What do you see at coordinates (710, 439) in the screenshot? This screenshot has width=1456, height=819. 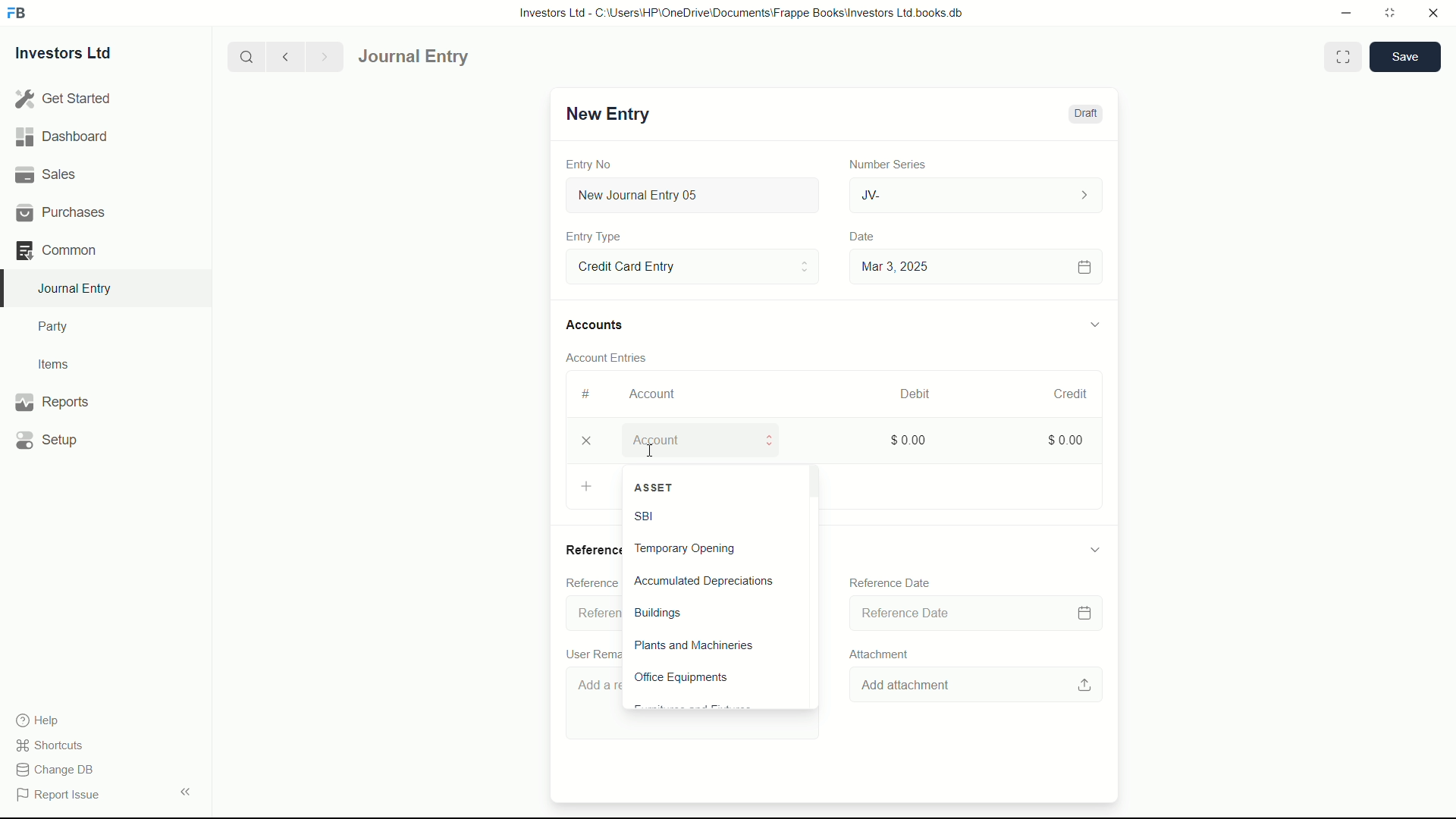 I see `Account` at bounding box center [710, 439].